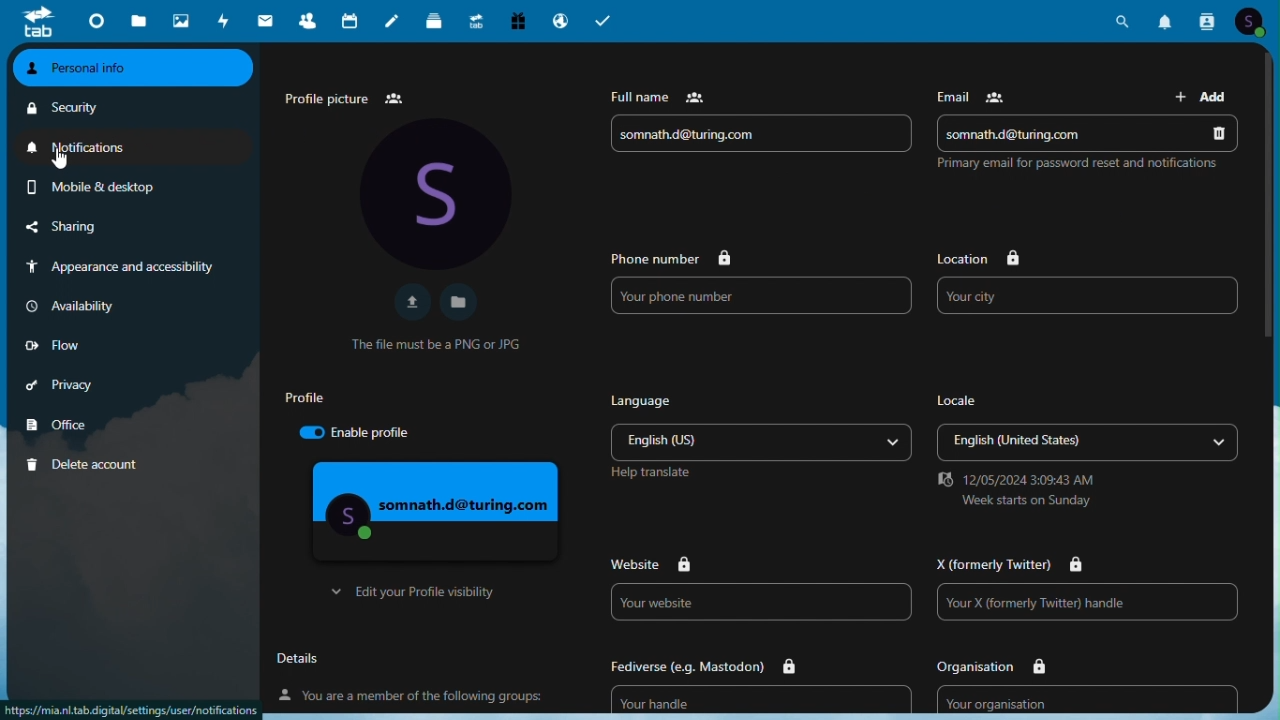 Image resolution: width=1280 pixels, height=720 pixels. Describe the element at coordinates (760, 296) in the screenshot. I see `Phone number` at that location.